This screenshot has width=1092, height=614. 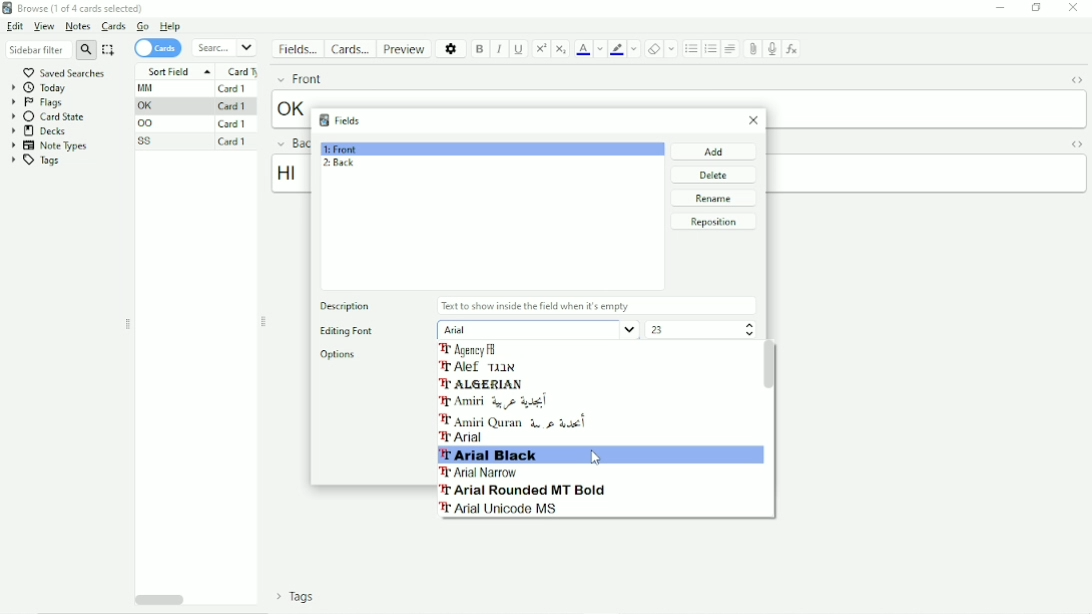 I want to click on Subscript, so click(x=561, y=48).